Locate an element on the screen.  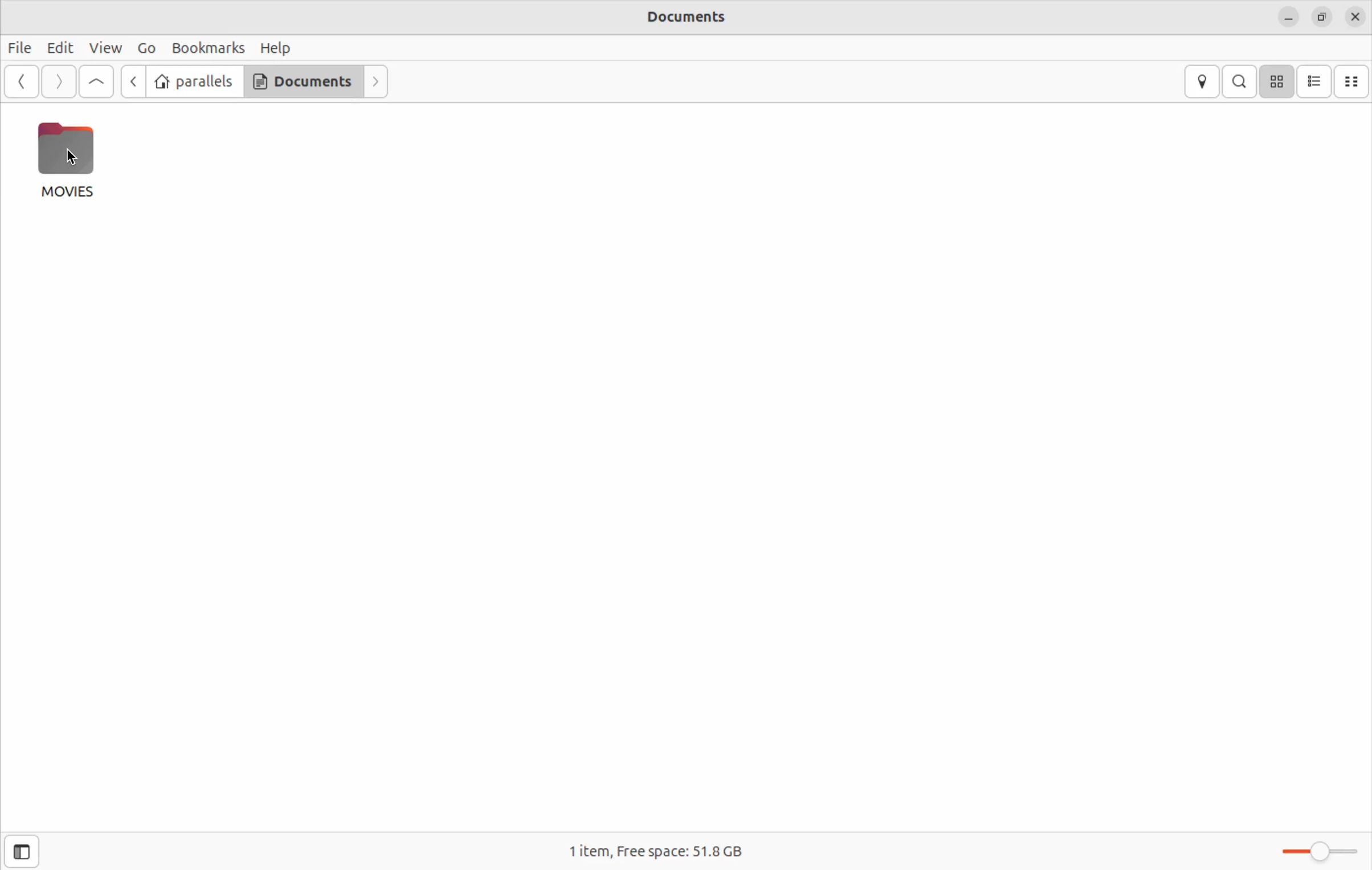
Edit is located at coordinates (64, 48).